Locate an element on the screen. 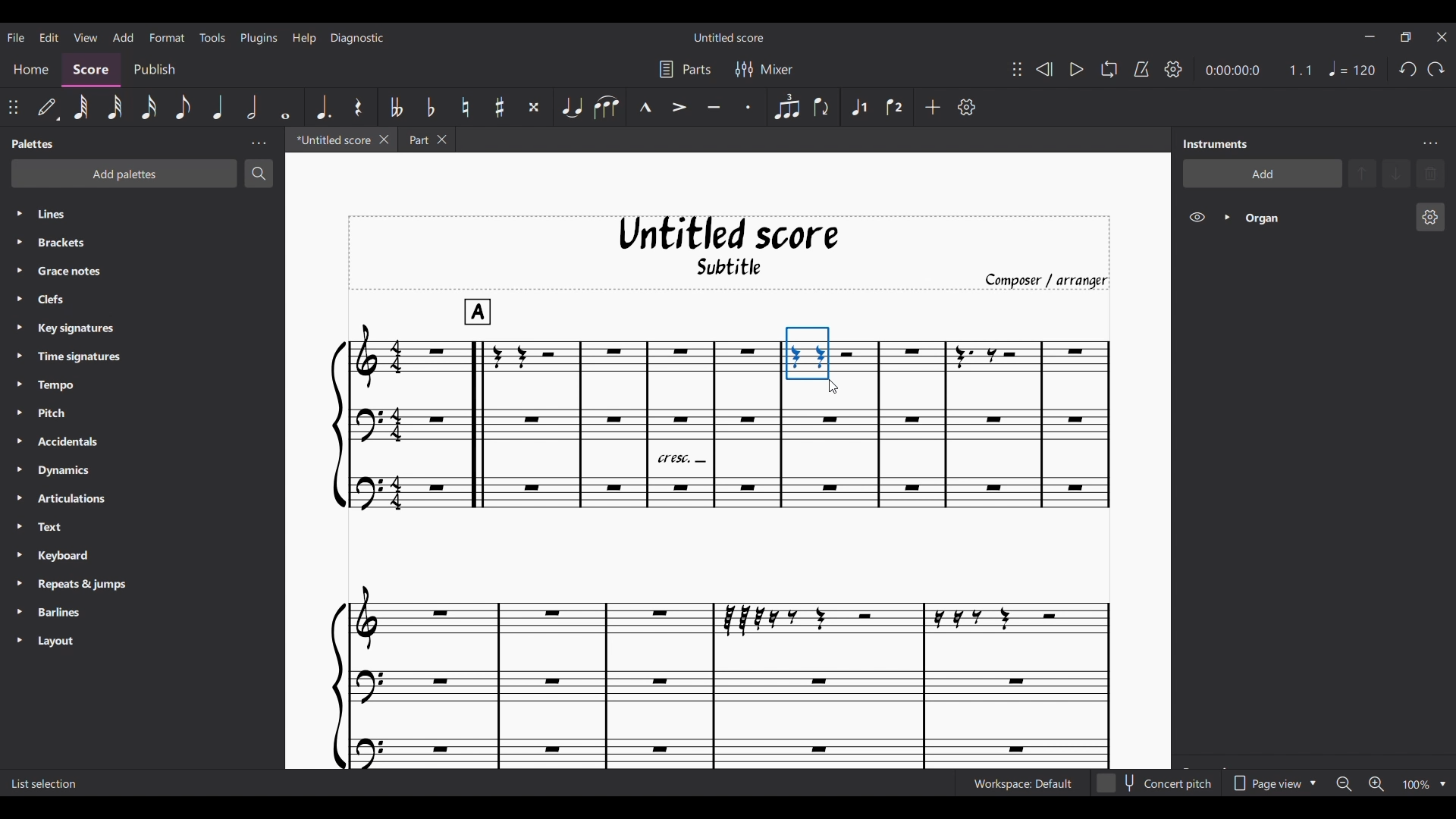 The height and width of the screenshot is (819, 1456). Add instrument is located at coordinates (1263, 173).